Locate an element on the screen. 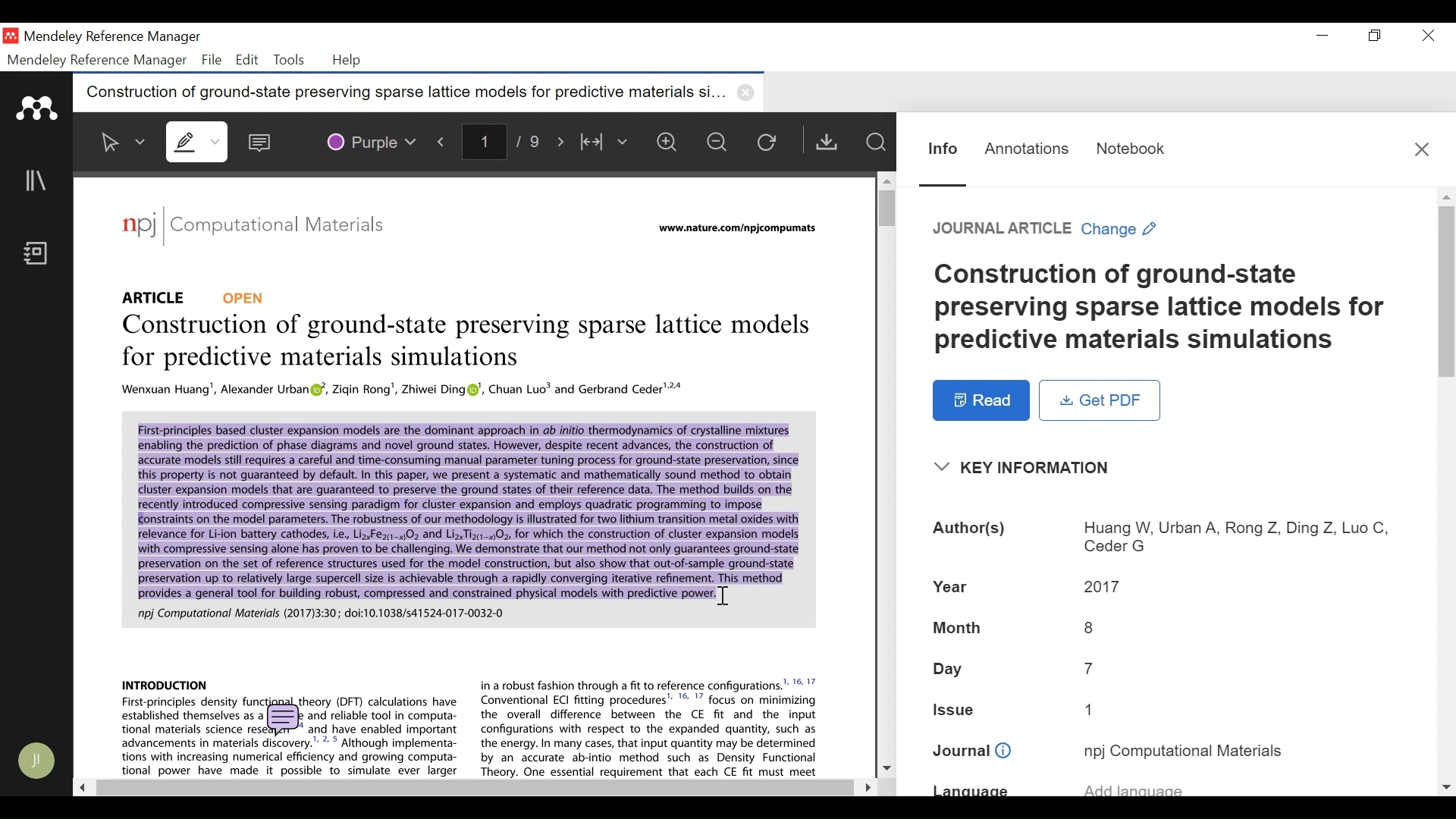 The width and height of the screenshot is (1456, 819). Vertical Scroll bar is located at coordinates (882, 207).